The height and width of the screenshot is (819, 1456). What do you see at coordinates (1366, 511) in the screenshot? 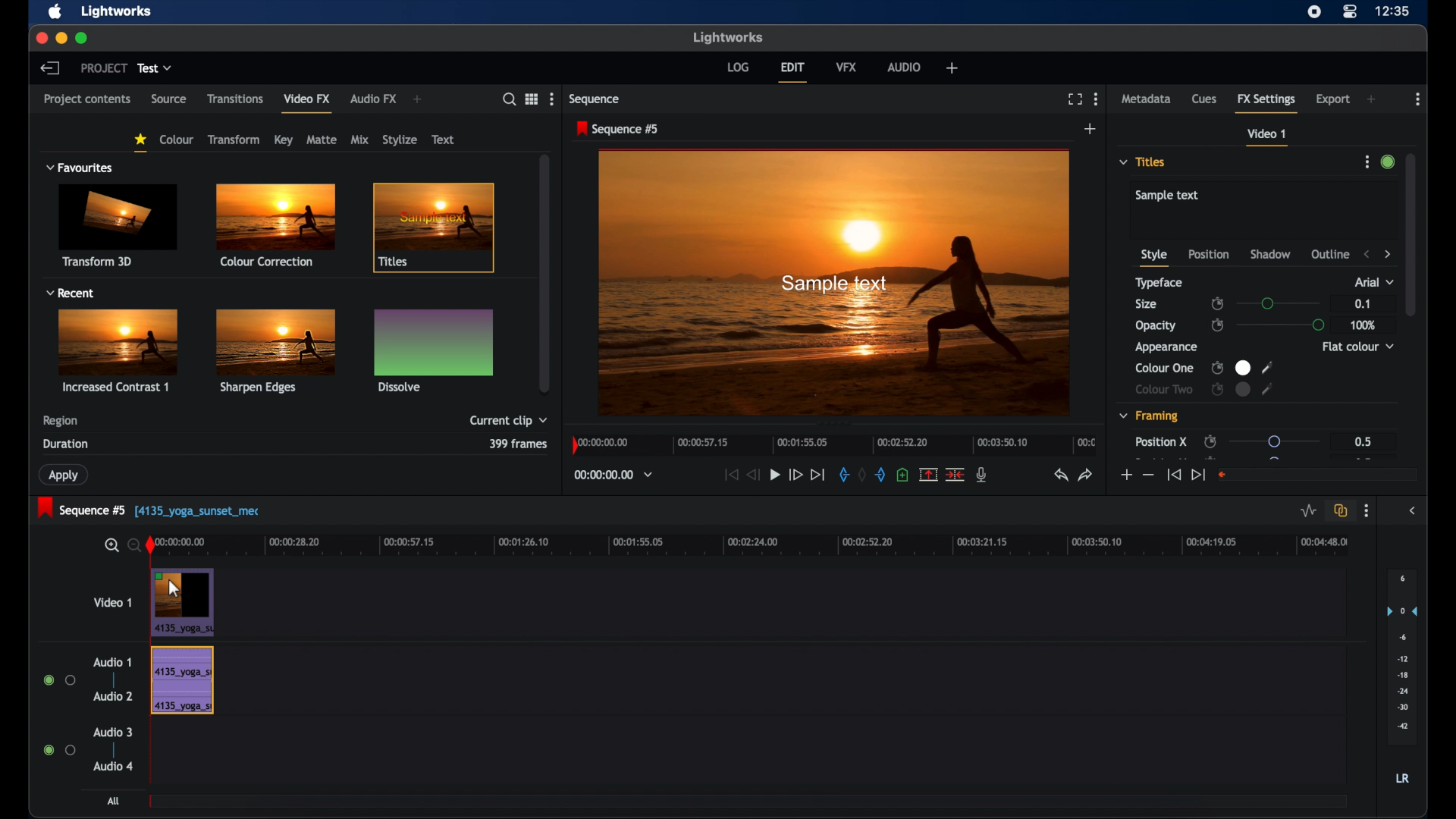
I see `more options` at bounding box center [1366, 511].